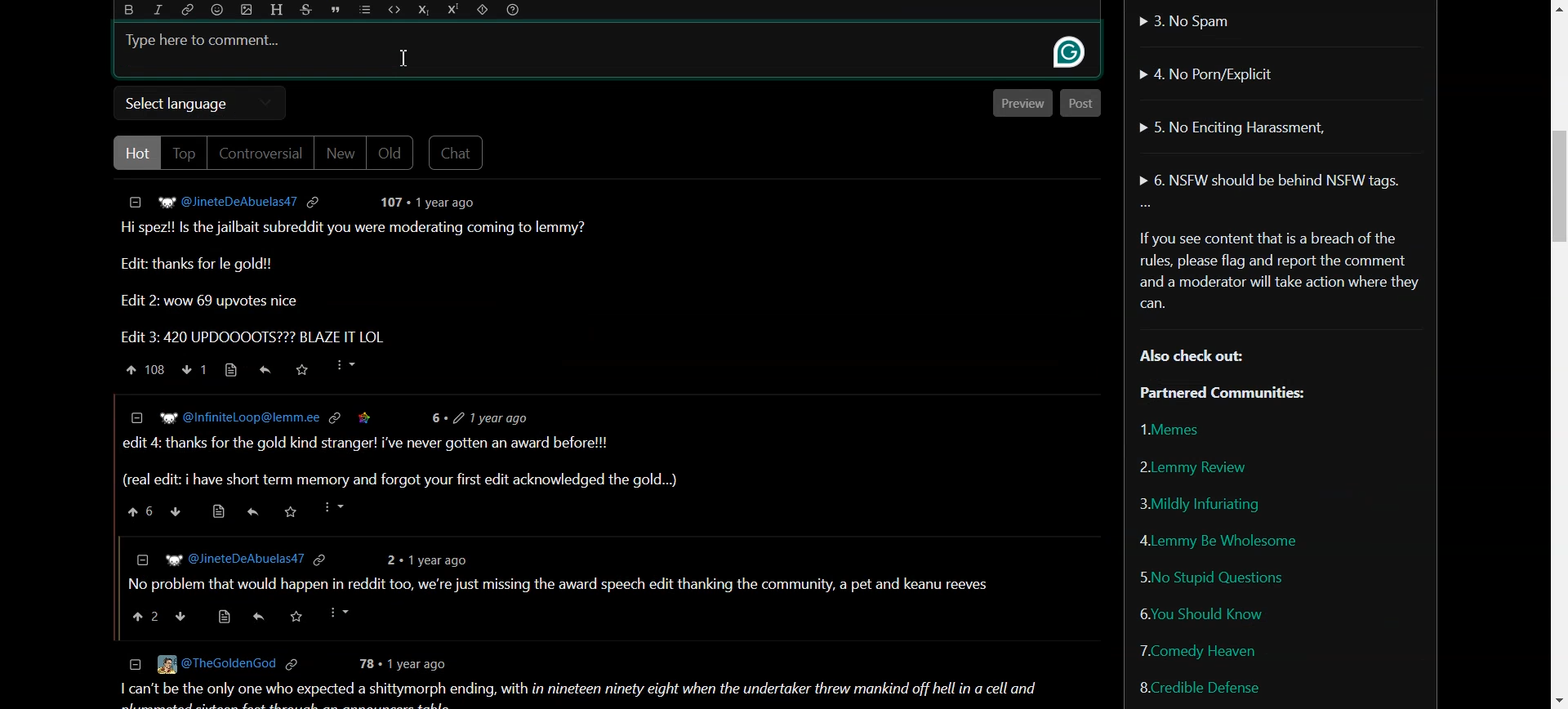  Describe the element at coordinates (276, 10) in the screenshot. I see `Header` at that location.